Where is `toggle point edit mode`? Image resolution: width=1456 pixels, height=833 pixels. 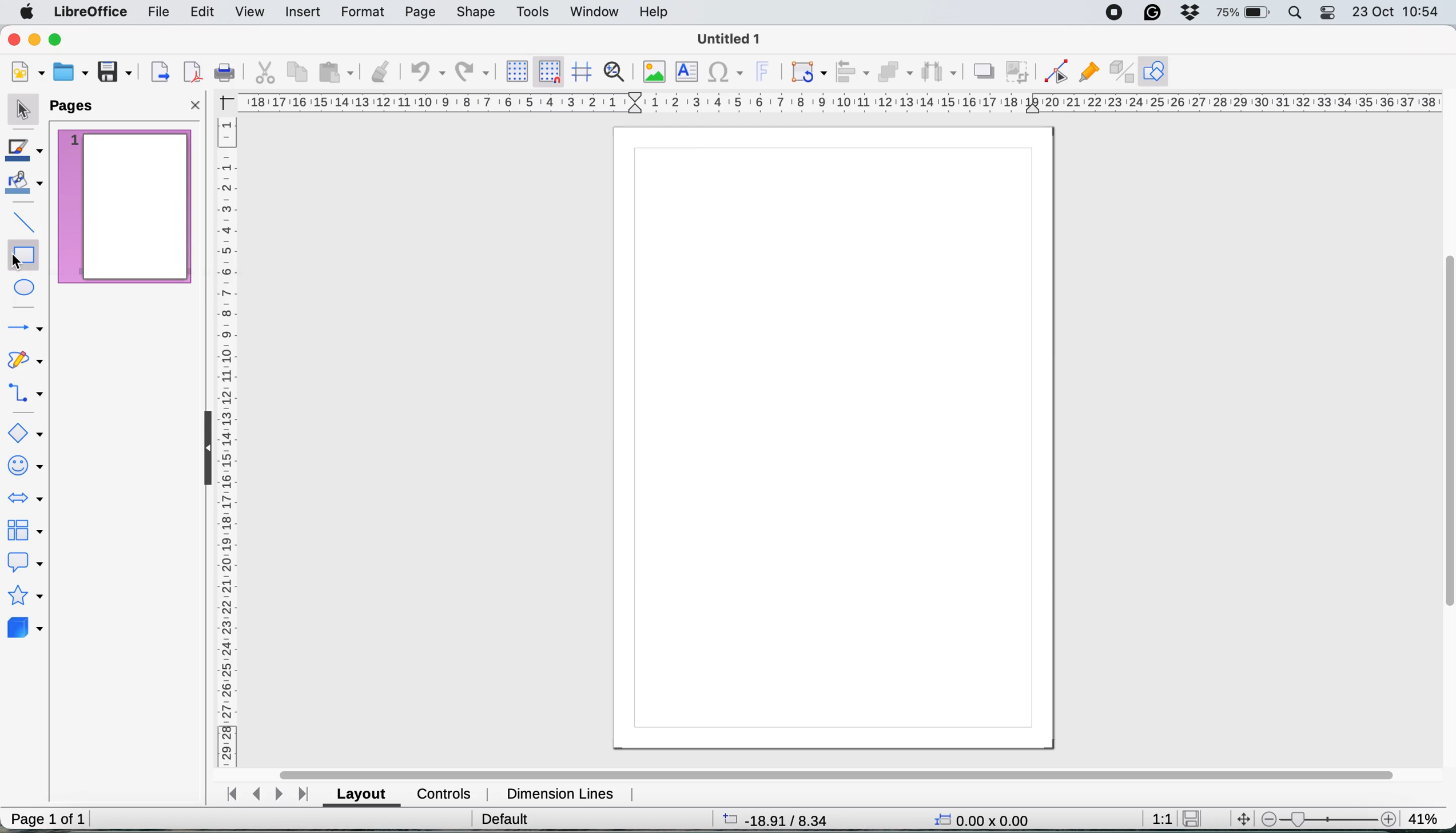
toggle point edit mode is located at coordinates (1051, 73).